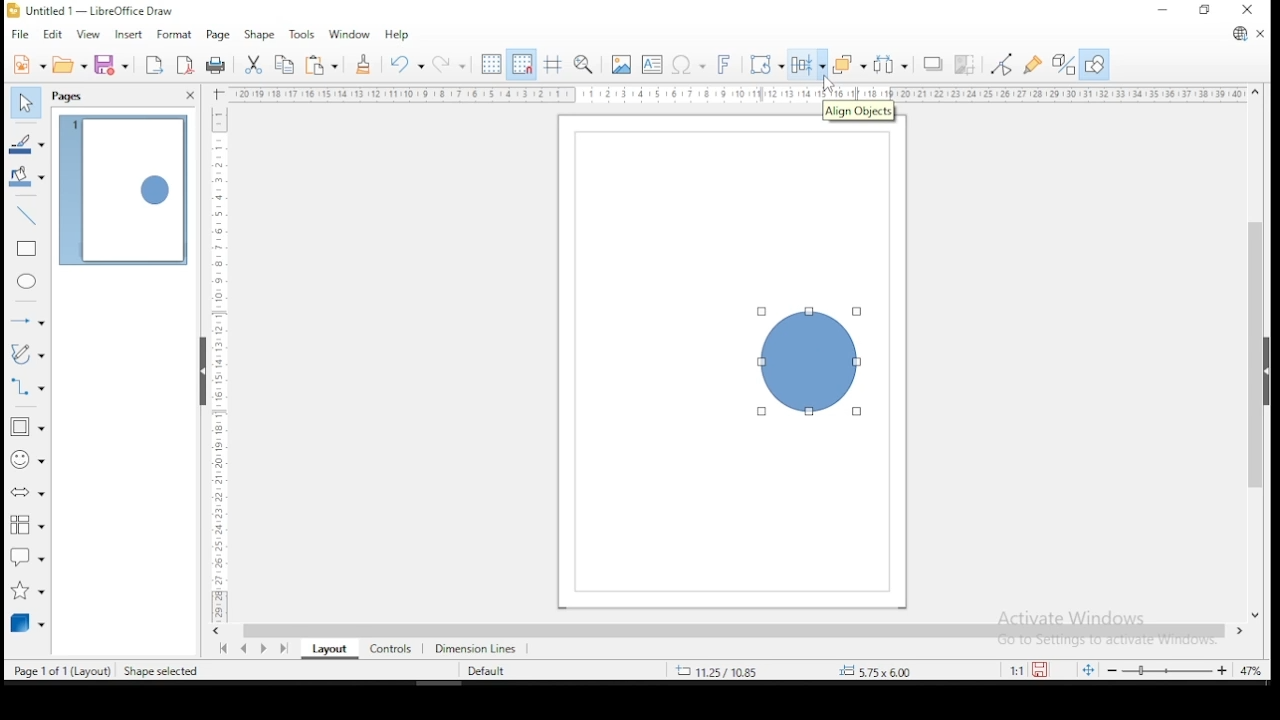 This screenshot has height=720, width=1280. What do you see at coordinates (738, 94) in the screenshot?
I see `horizontal scale` at bounding box center [738, 94].